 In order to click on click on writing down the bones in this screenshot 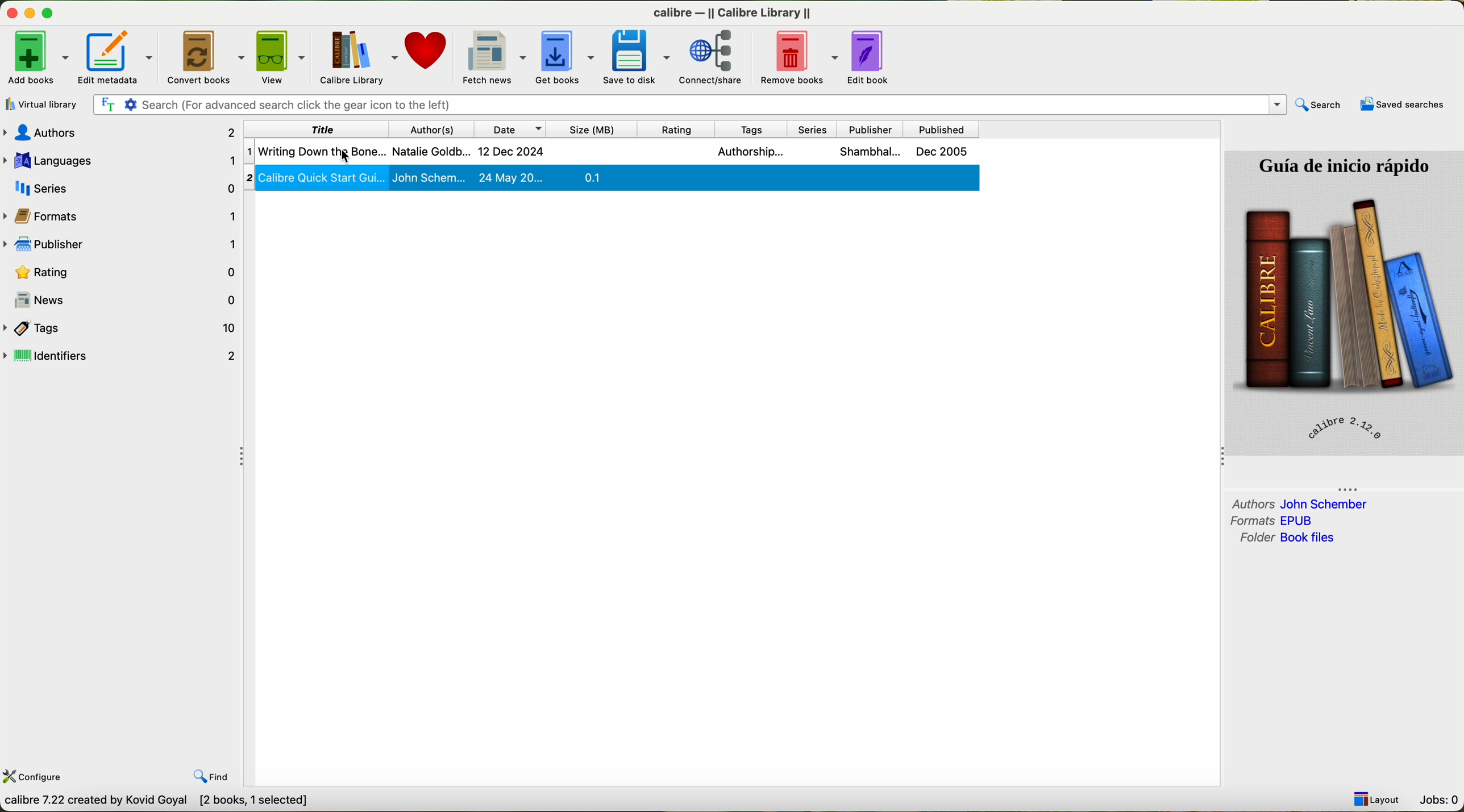, I will do `click(612, 152)`.